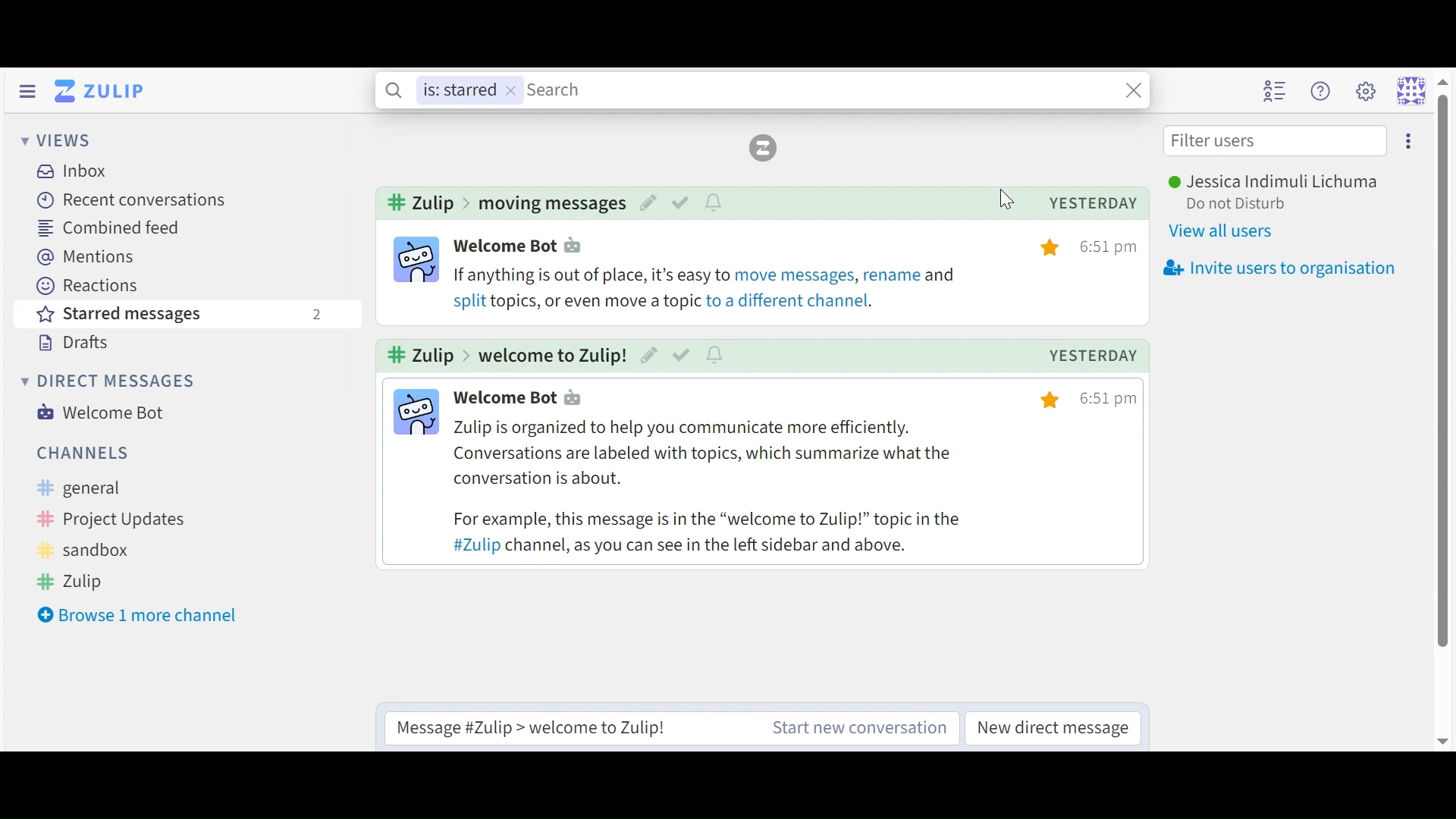 This screenshot has width=1456, height=819. What do you see at coordinates (559, 727) in the screenshot?
I see `Reply to message` at bounding box center [559, 727].